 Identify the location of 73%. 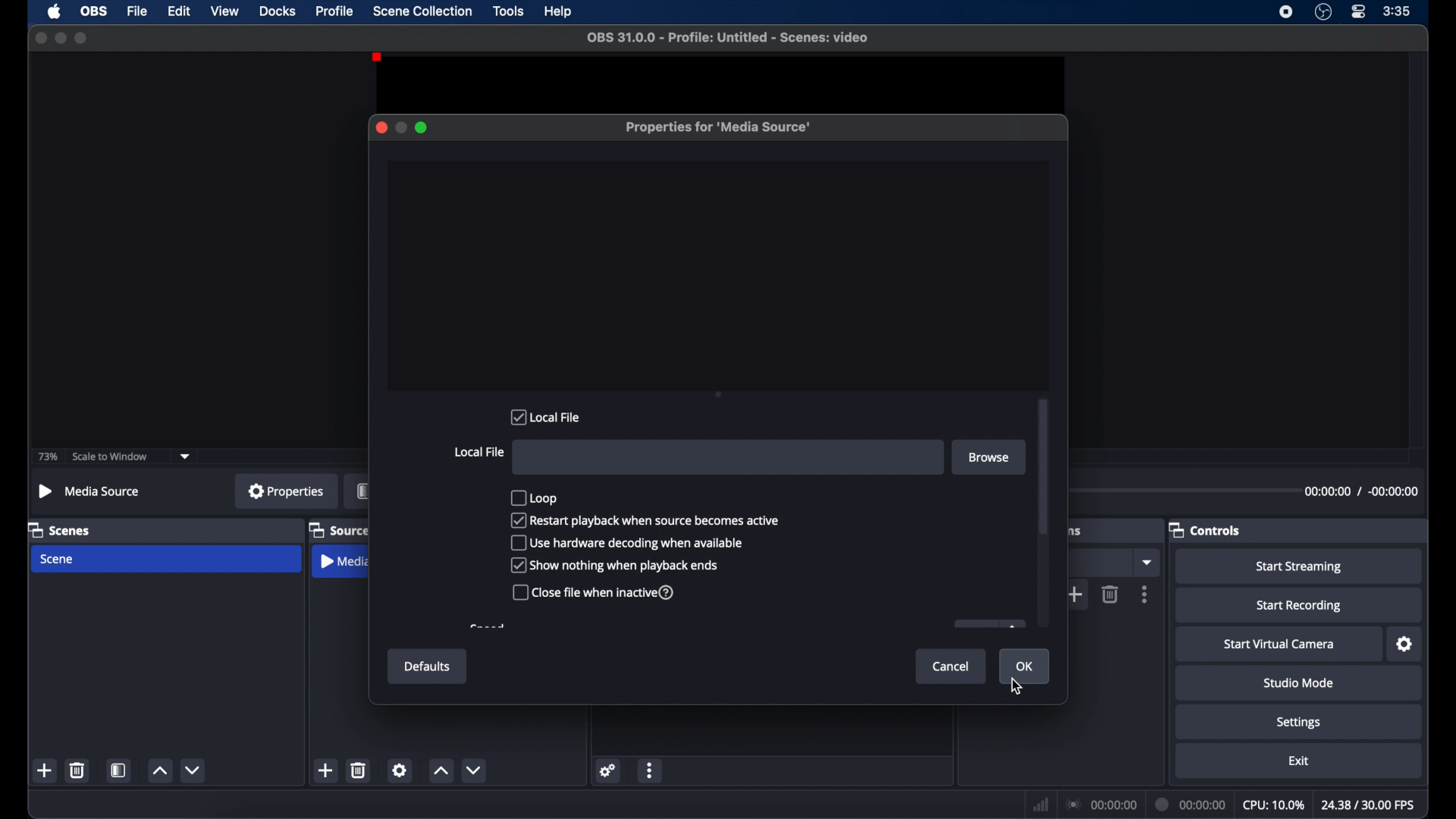
(47, 457).